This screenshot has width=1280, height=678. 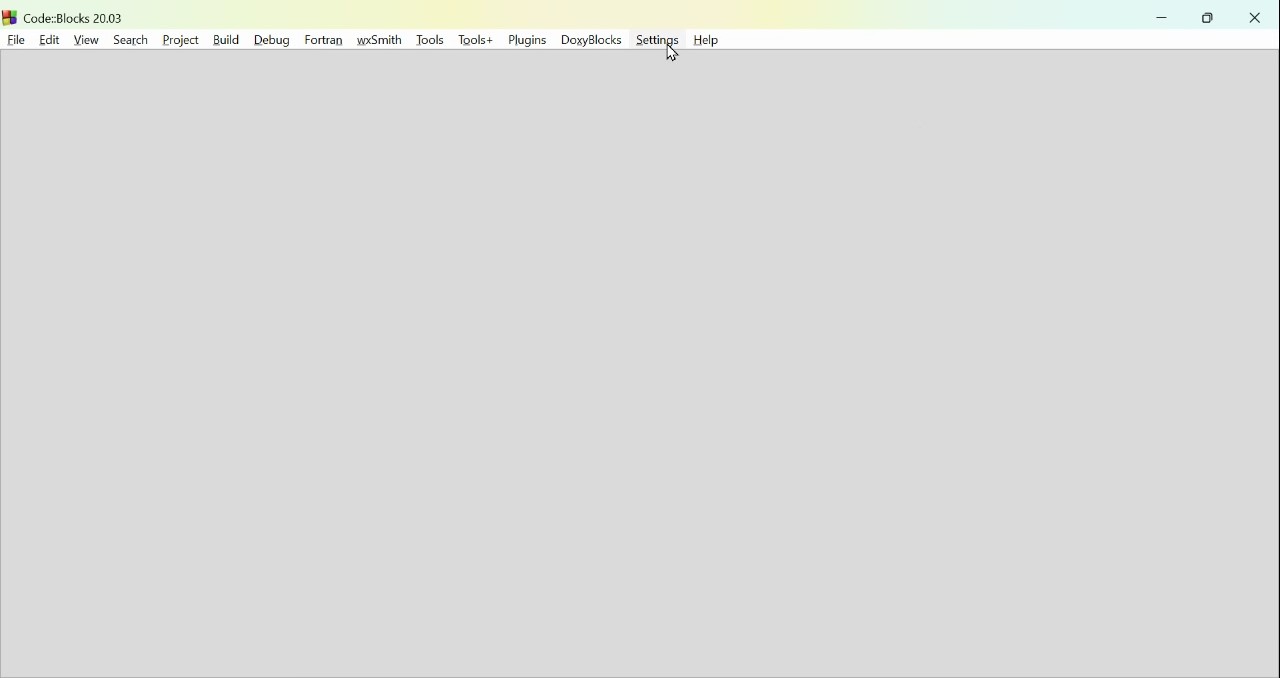 What do you see at coordinates (1255, 17) in the screenshot?
I see `close` at bounding box center [1255, 17].